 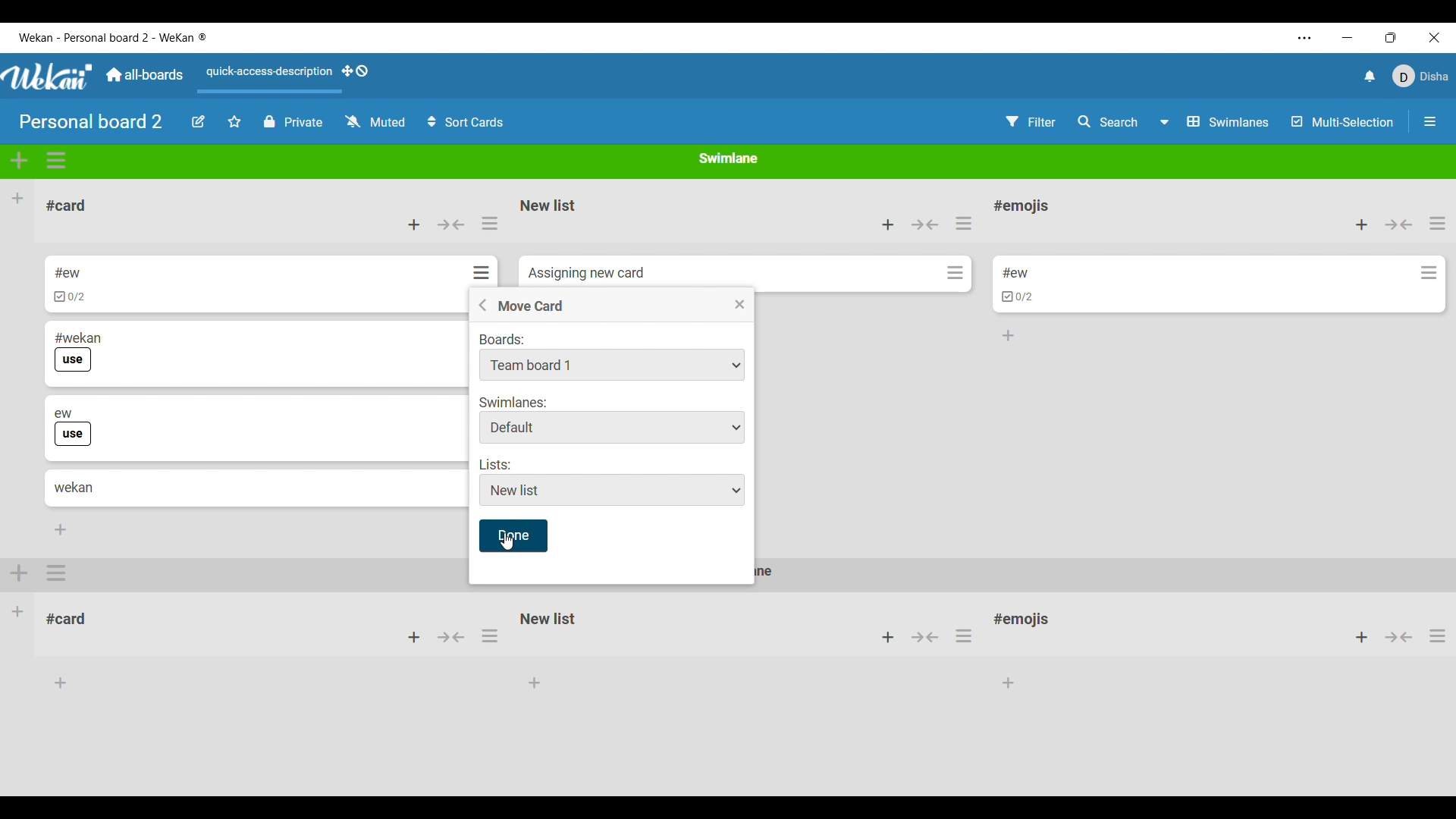 What do you see at coordinates (92, 121) in the screenshot?
I see `Board title` at bounding box center [92, 121].